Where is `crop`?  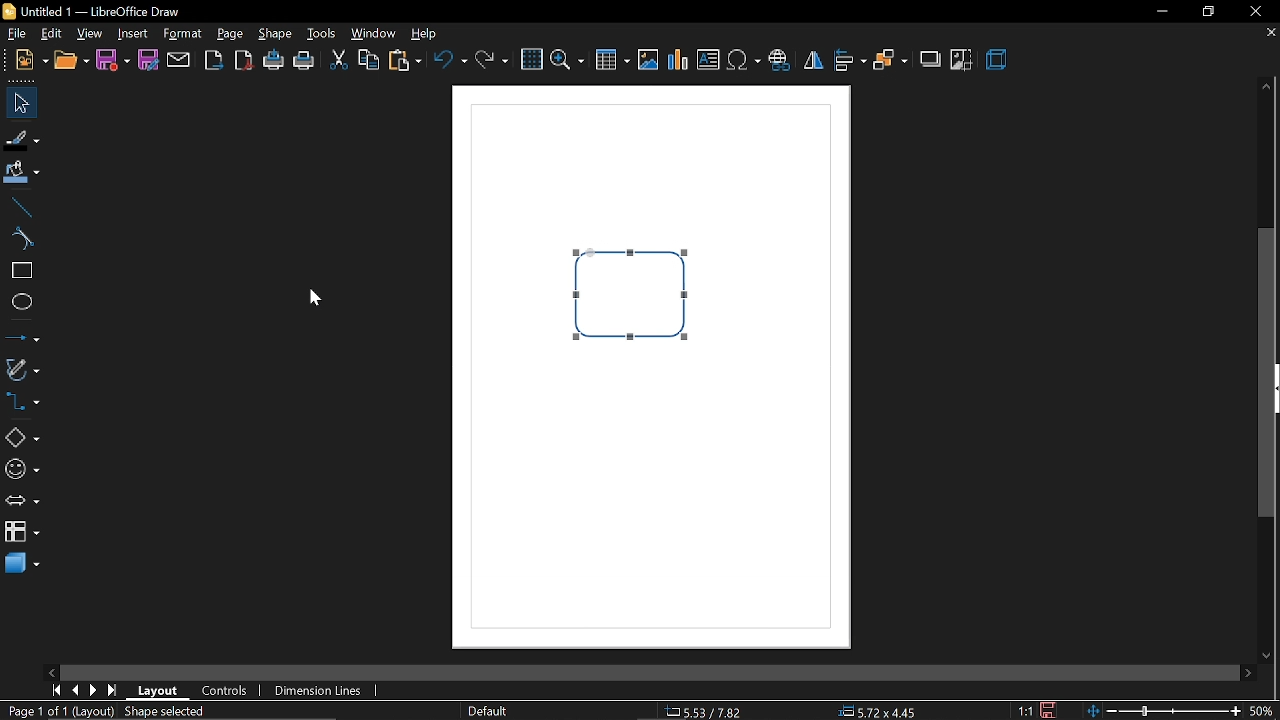 crop is located at coordinates (962, 60).